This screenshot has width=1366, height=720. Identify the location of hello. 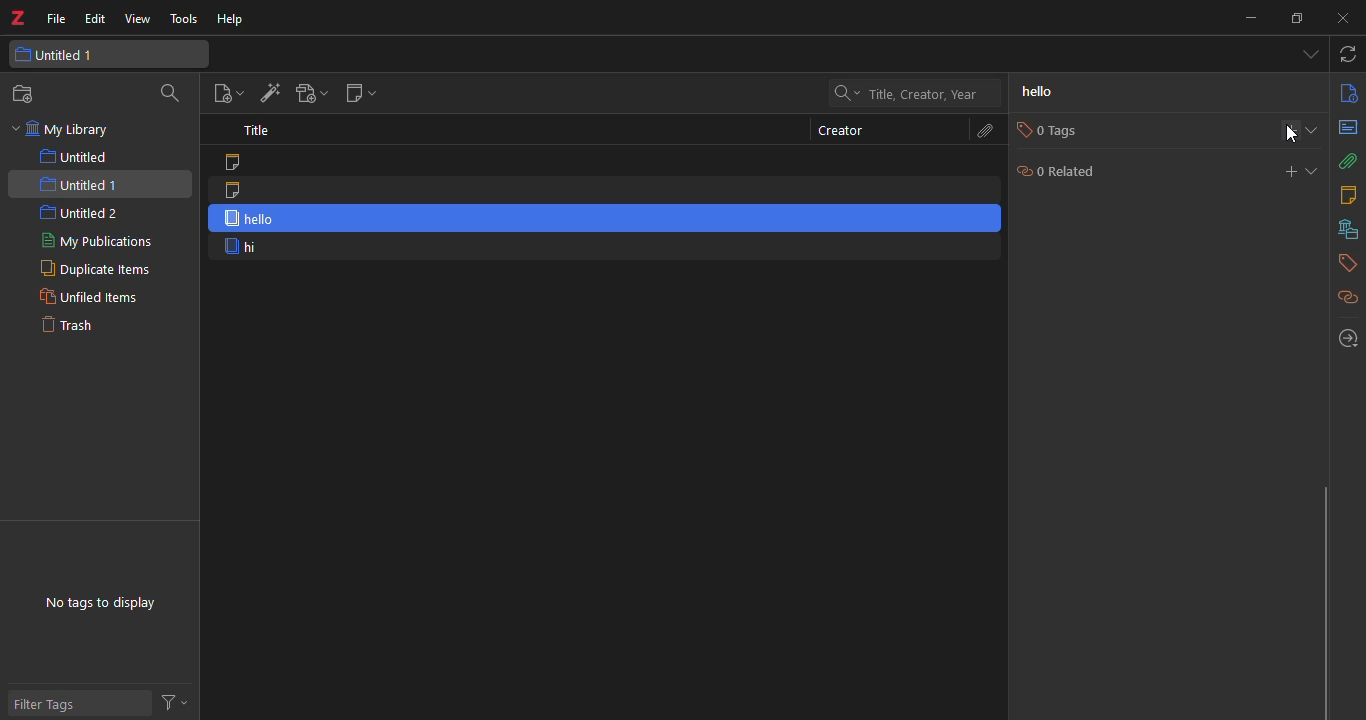
(1047, 94).